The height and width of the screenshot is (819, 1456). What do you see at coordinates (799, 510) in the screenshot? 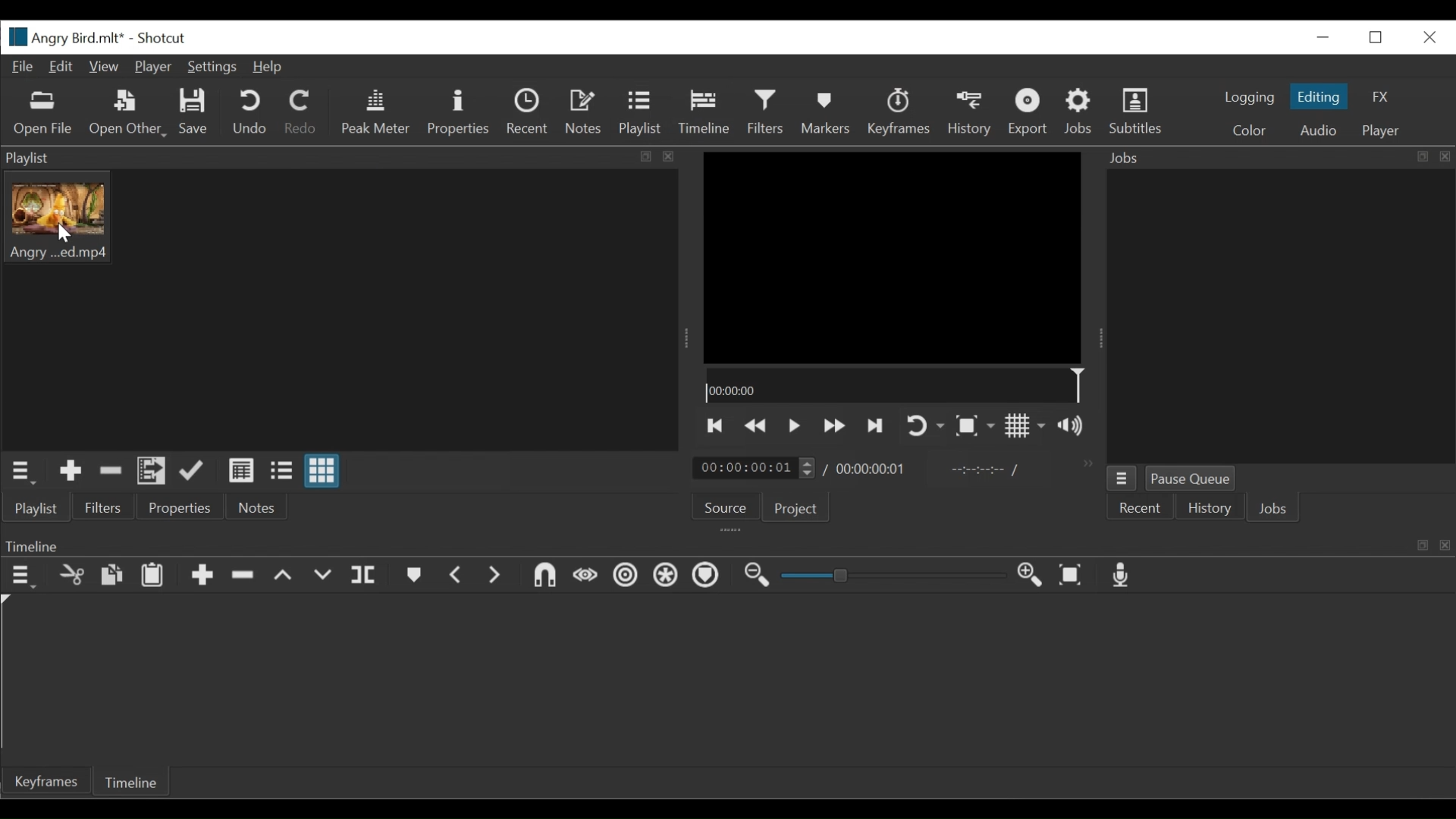
I see `Project` at bounding box center [799, 510].